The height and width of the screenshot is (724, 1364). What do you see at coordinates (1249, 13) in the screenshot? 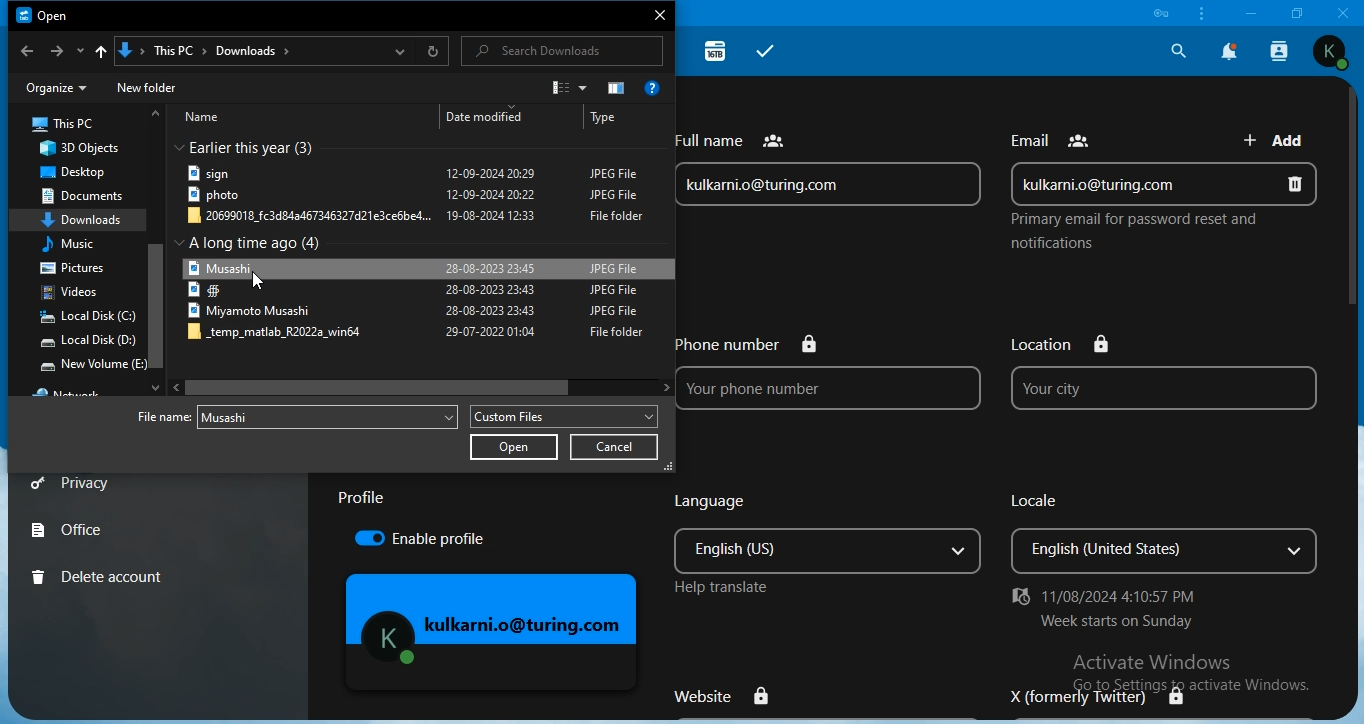
I see `minimize` at bounding box center [1249, 13].